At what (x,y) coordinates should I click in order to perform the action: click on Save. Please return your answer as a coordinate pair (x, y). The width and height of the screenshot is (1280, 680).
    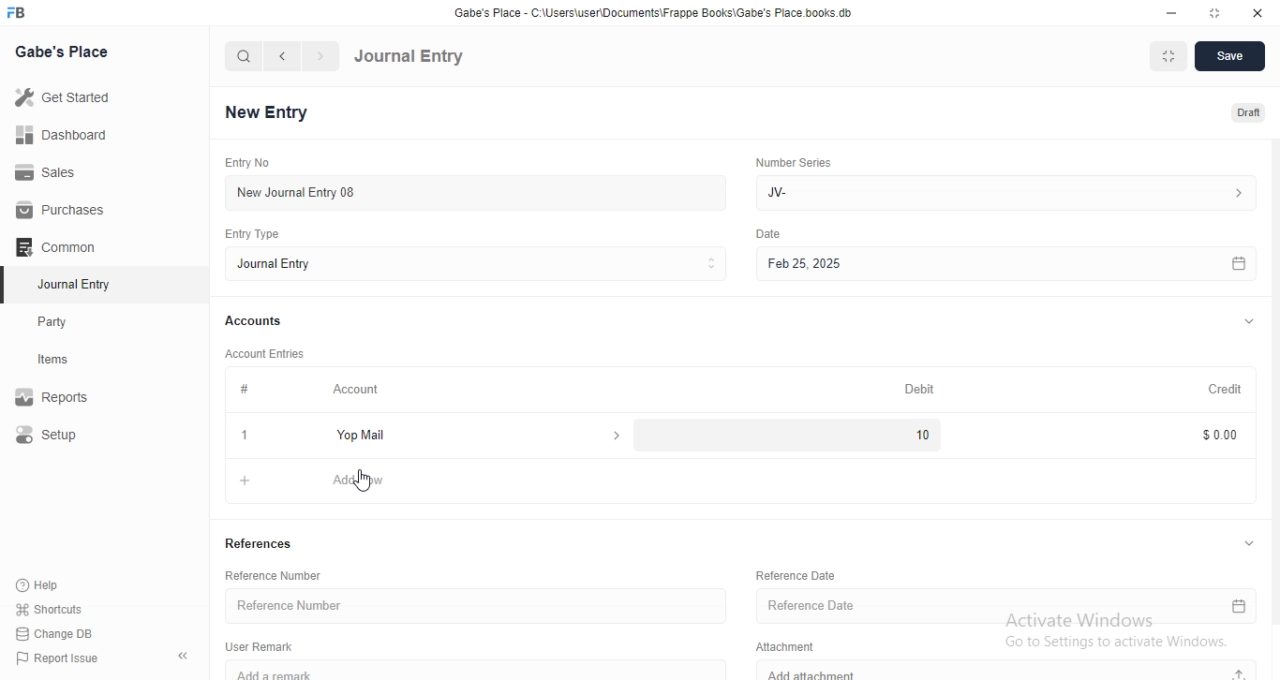
    Looking at the image, I should click on (1231, 57).